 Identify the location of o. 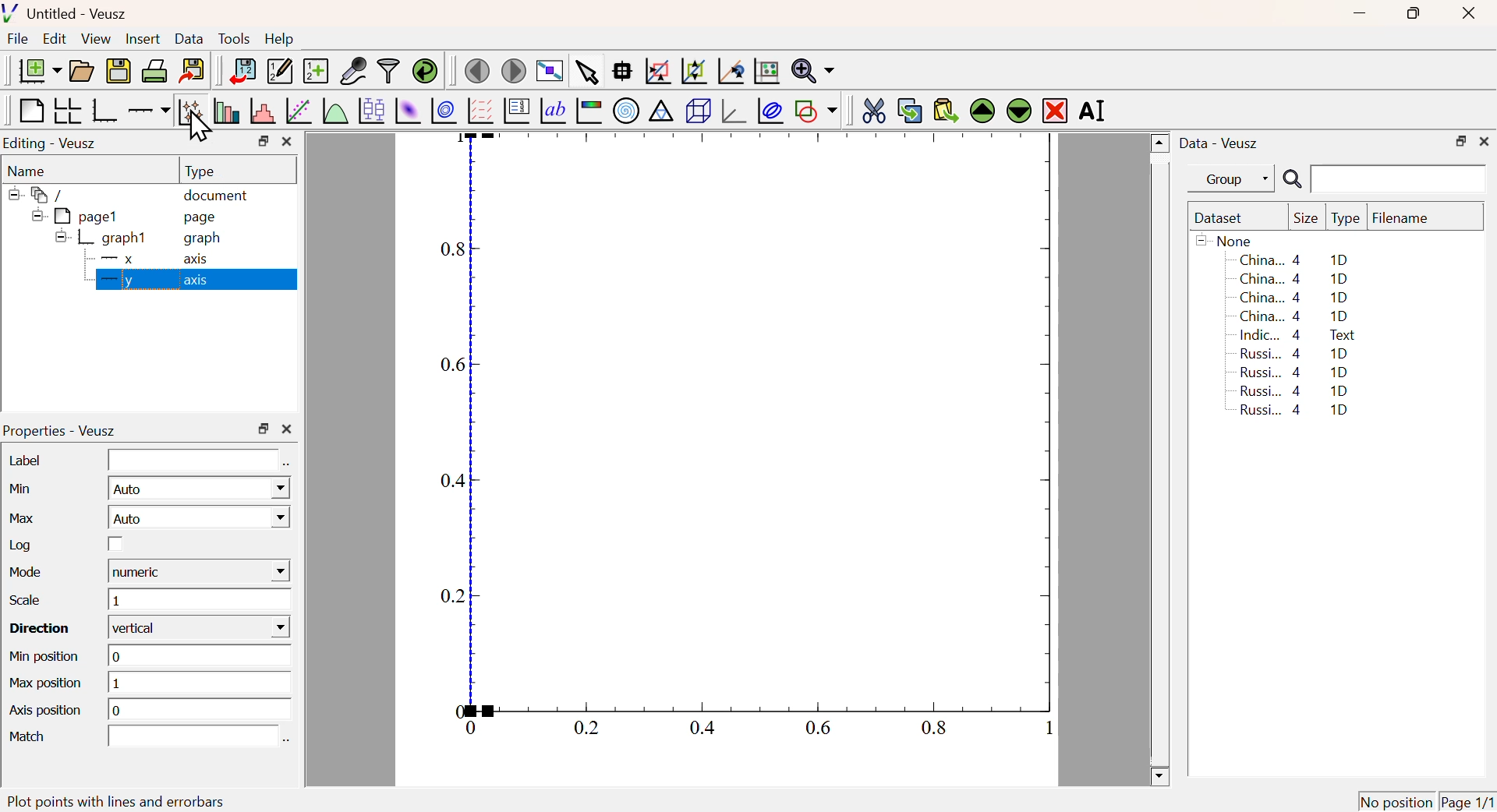
(200, 709).